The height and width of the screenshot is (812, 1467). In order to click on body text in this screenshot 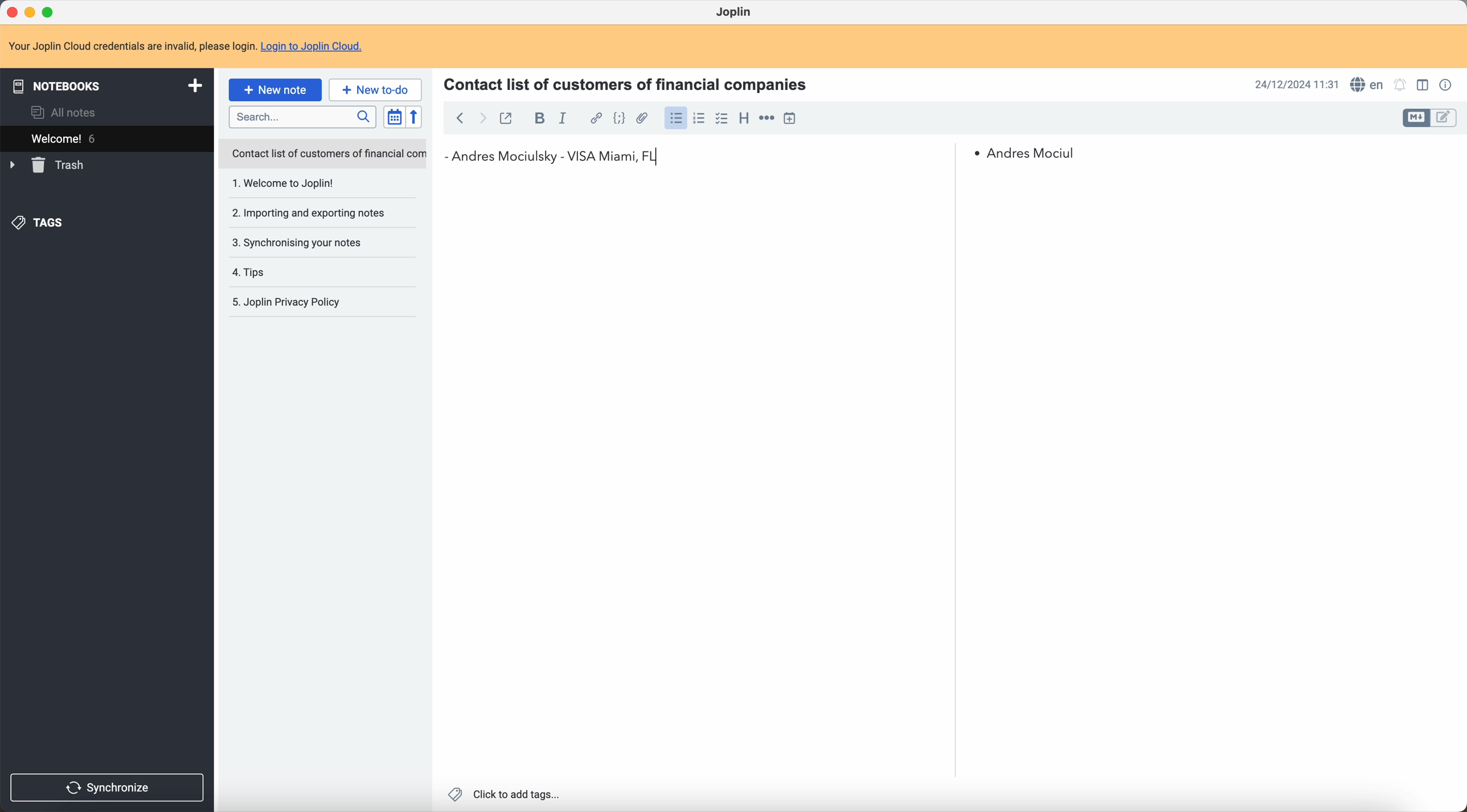, I will do `click(1205, 475)`.